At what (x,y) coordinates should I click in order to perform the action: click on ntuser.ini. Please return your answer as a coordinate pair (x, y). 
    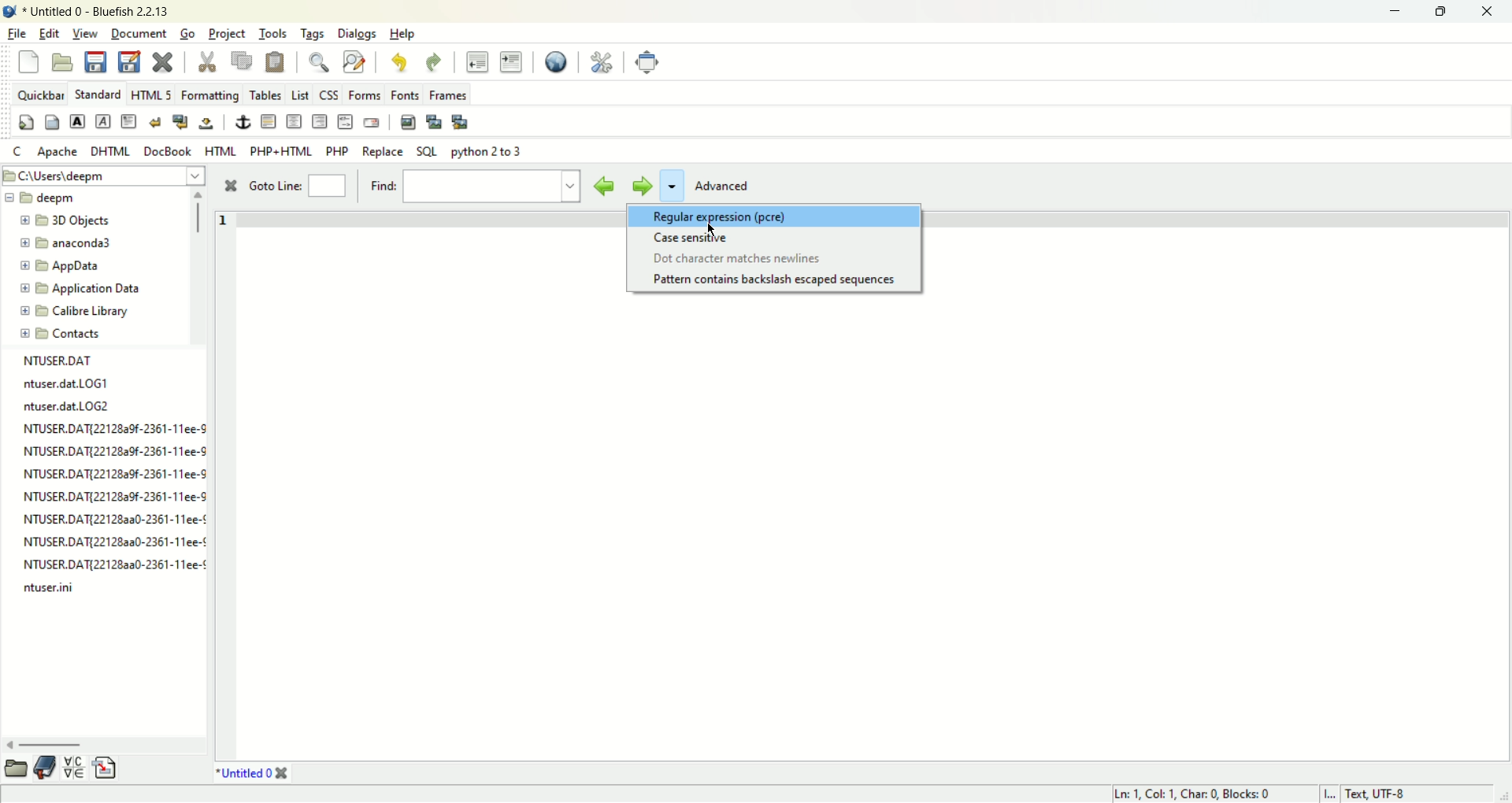
    Looking at the image, I should click on (52, 589).